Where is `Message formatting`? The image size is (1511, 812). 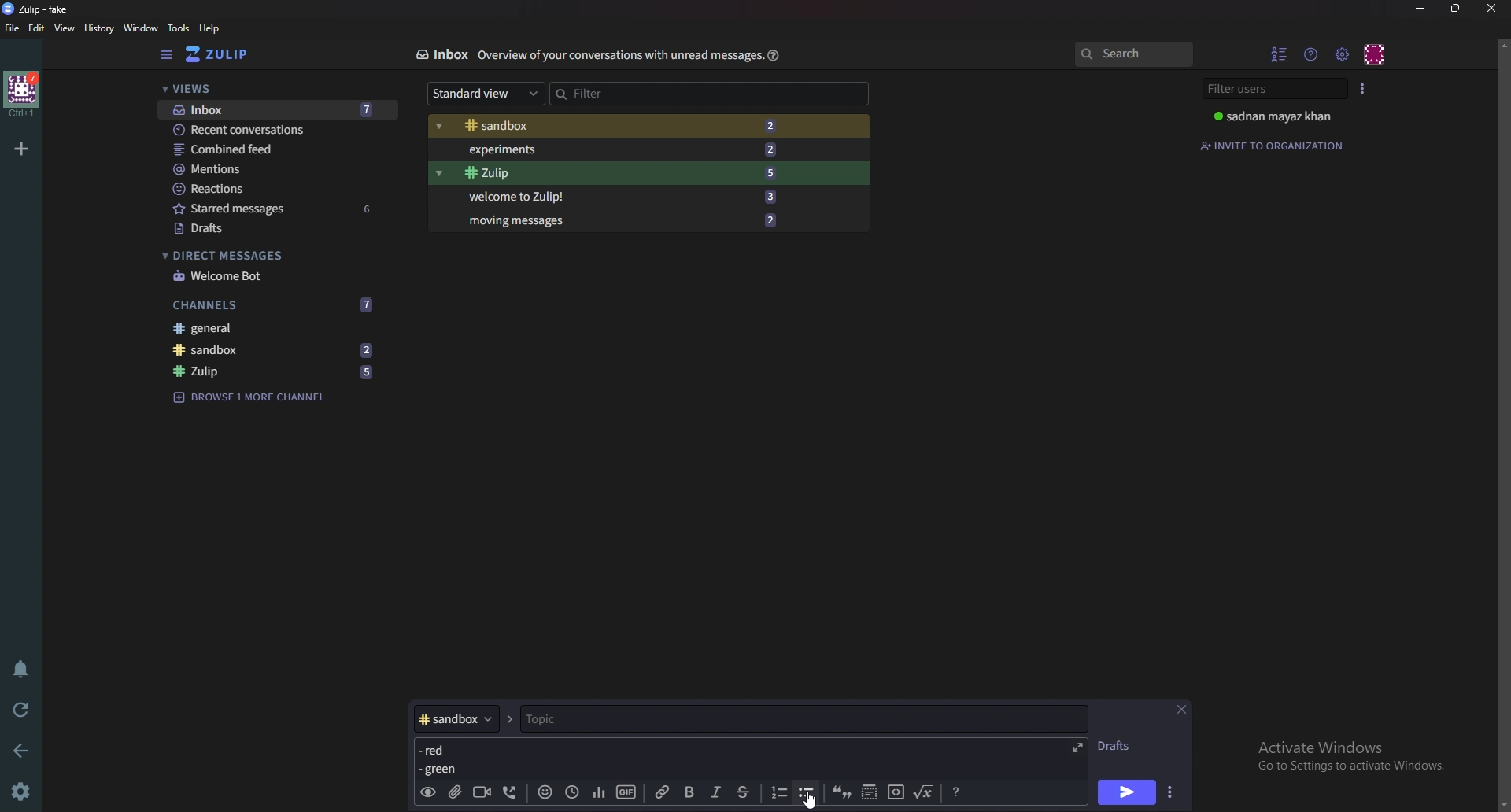 Message formatting is located at coordinates (959, 790).